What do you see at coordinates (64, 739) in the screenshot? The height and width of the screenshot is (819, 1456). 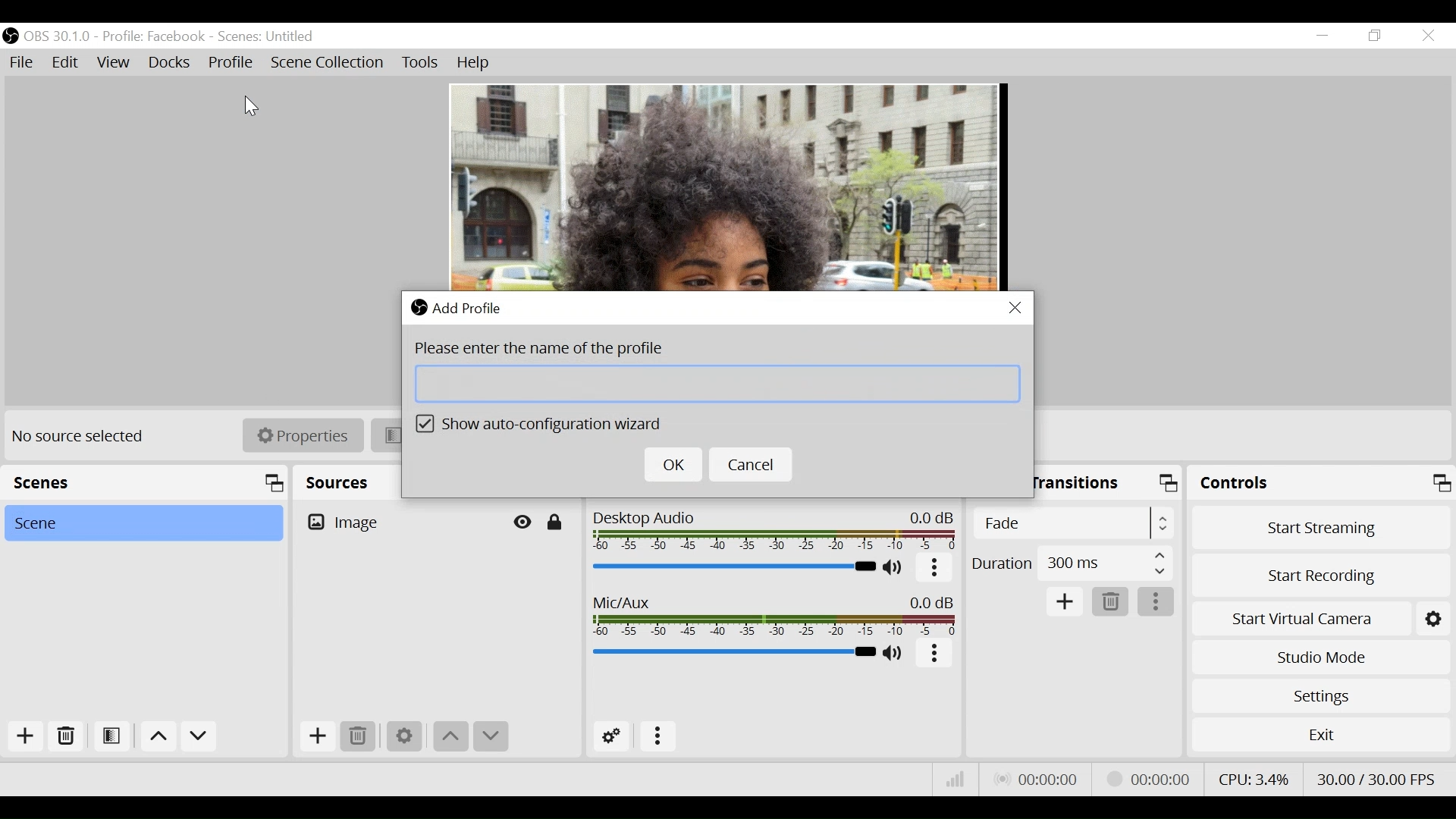 I see `Remove` at bounding box center [64, 739].